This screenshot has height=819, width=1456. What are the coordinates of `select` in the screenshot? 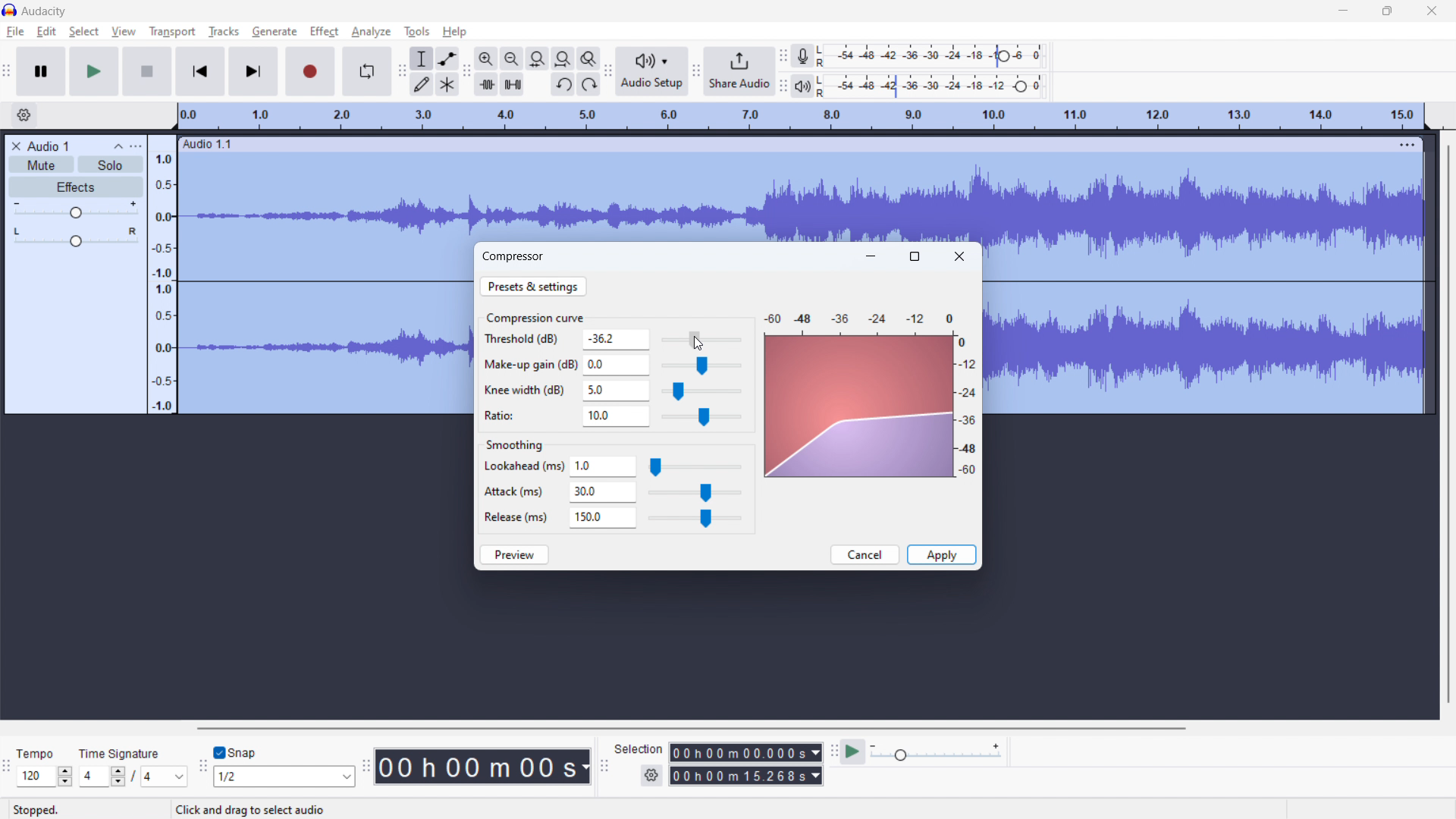 It's located at (84, 32).